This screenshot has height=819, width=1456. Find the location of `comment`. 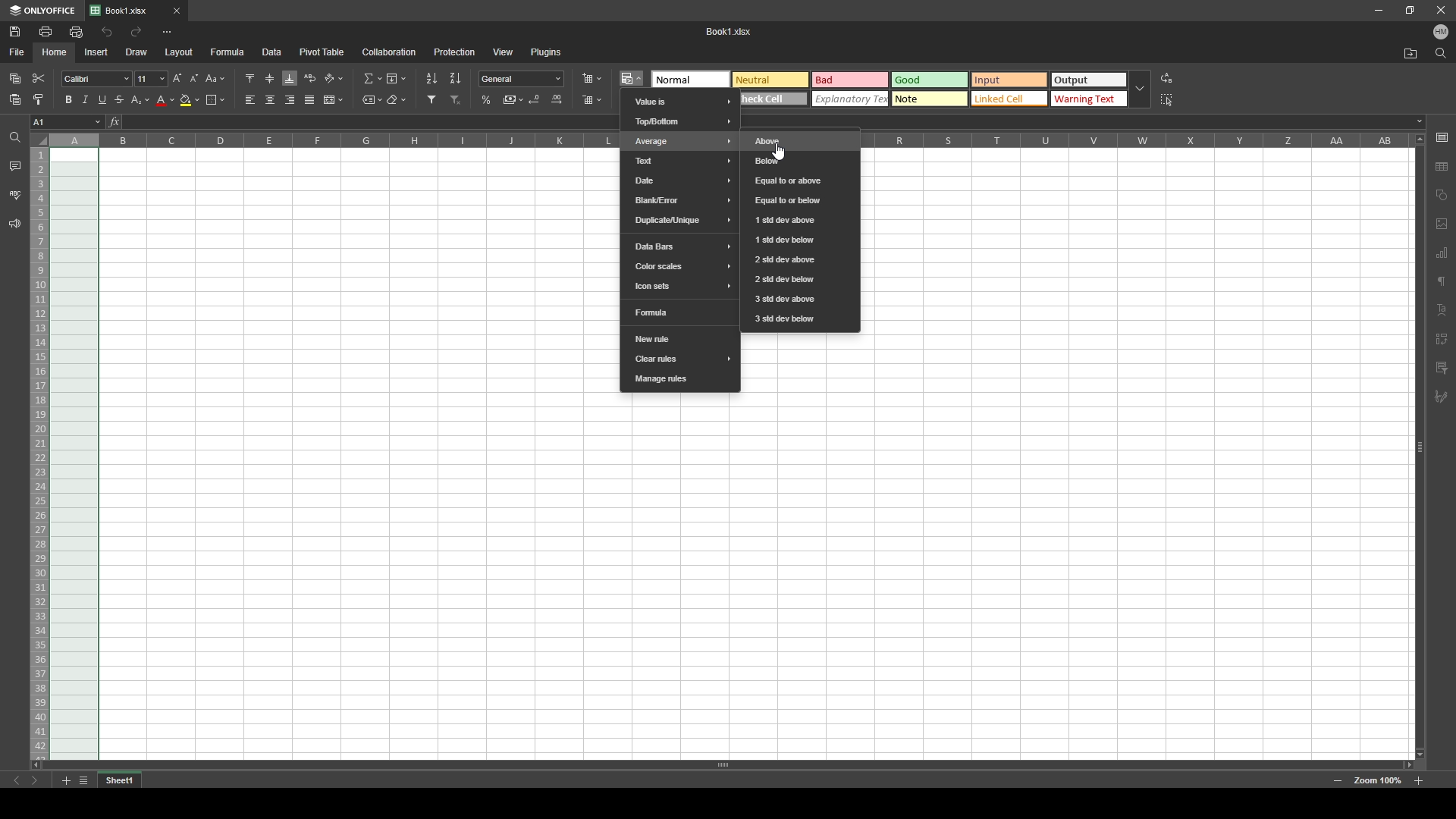

comment is located at coordinates (14, 165).